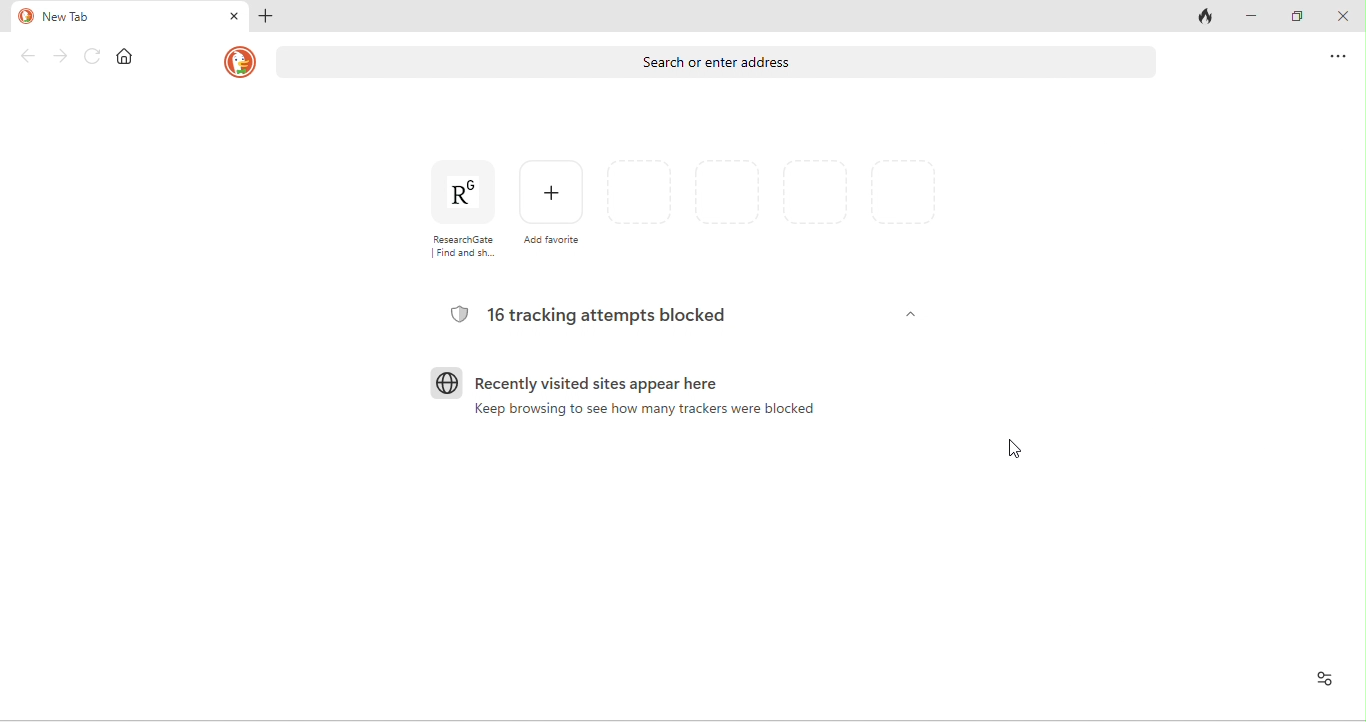 The image size is (1366, 722). Describe the element at coordinates (233, 15) in the screenshot. I see `close tab` at that location.